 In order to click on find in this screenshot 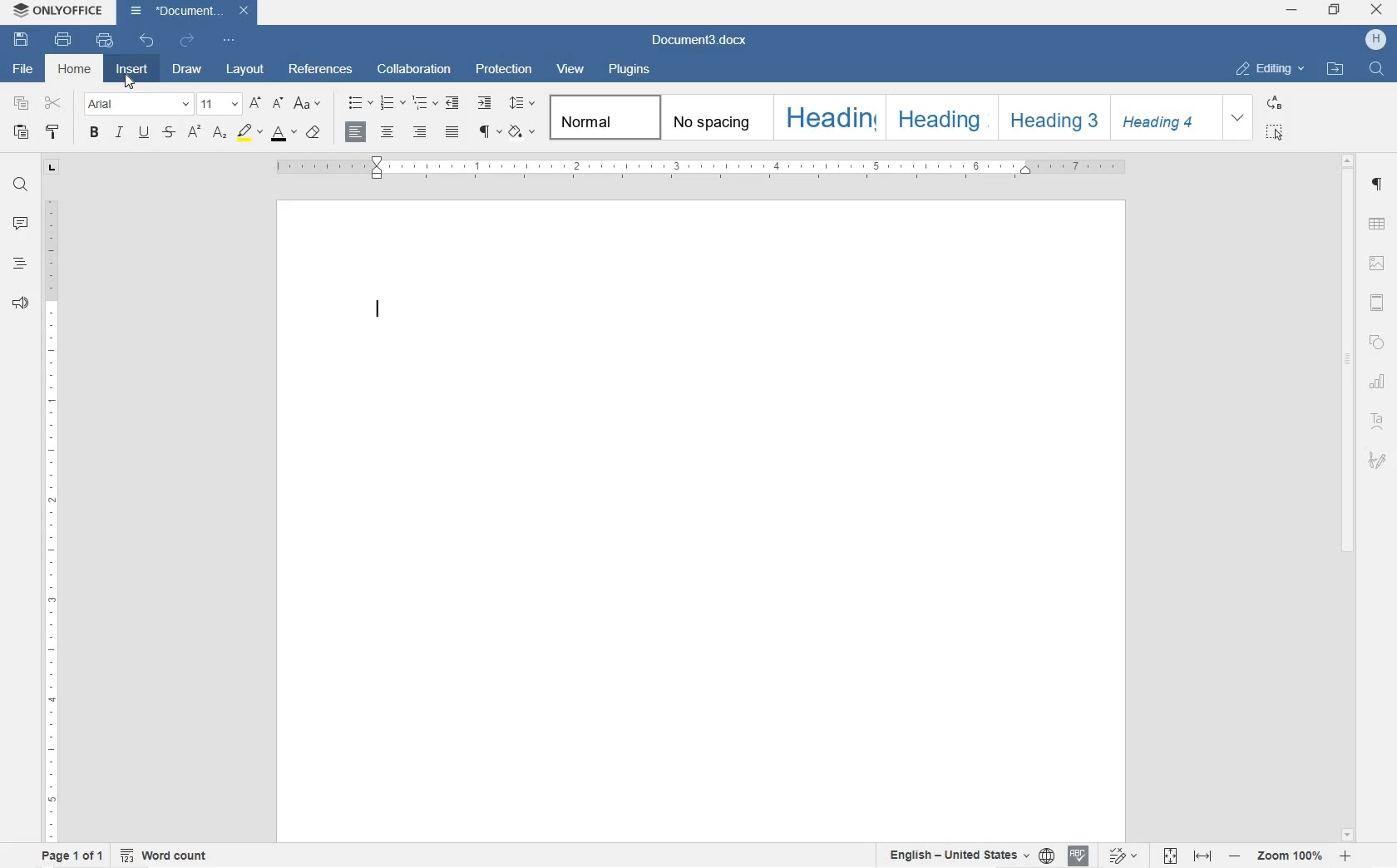, I will do `click(1379, 70)`.